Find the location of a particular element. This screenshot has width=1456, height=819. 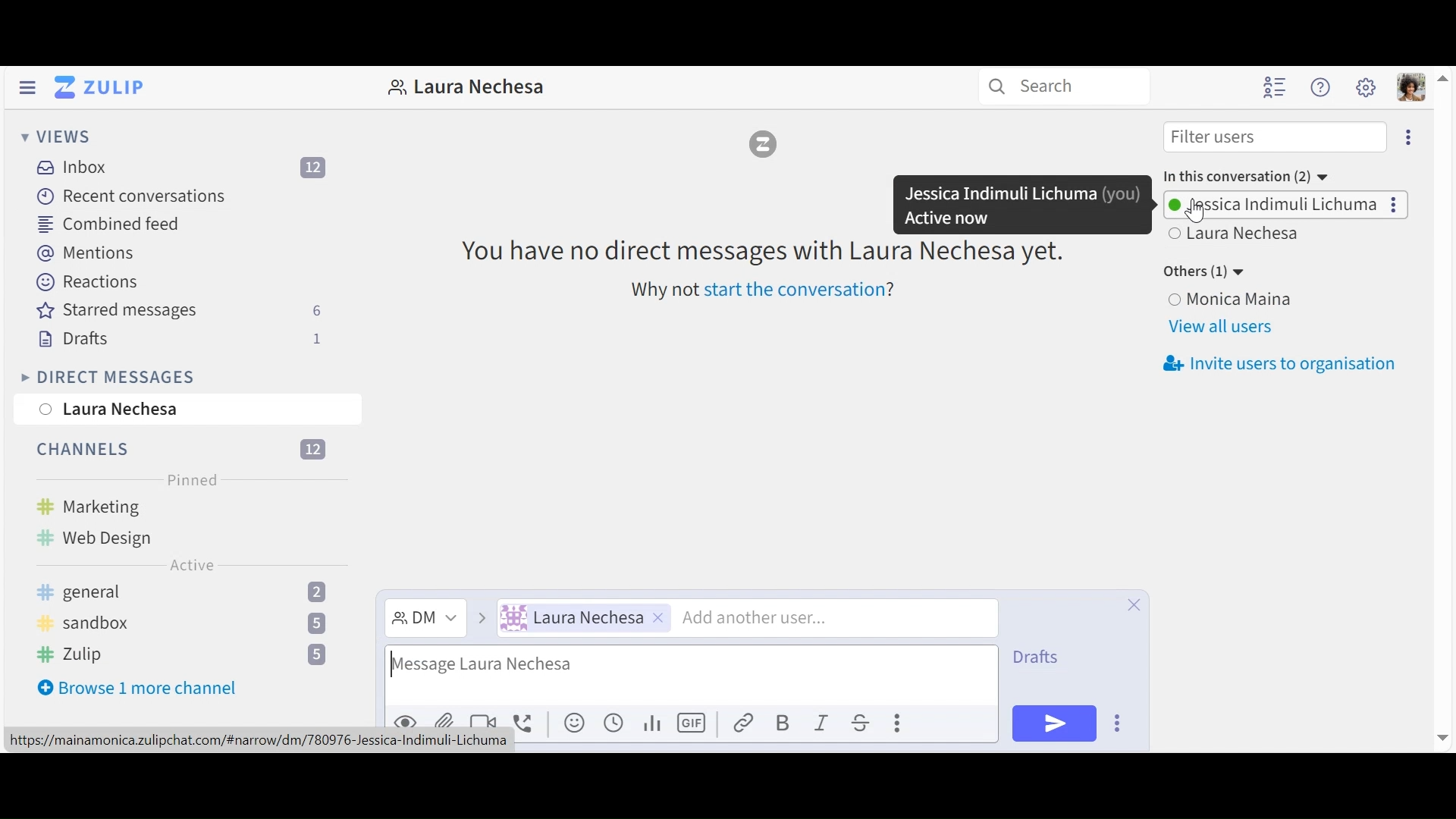

Help menu is located at coordinates (1323, 88).